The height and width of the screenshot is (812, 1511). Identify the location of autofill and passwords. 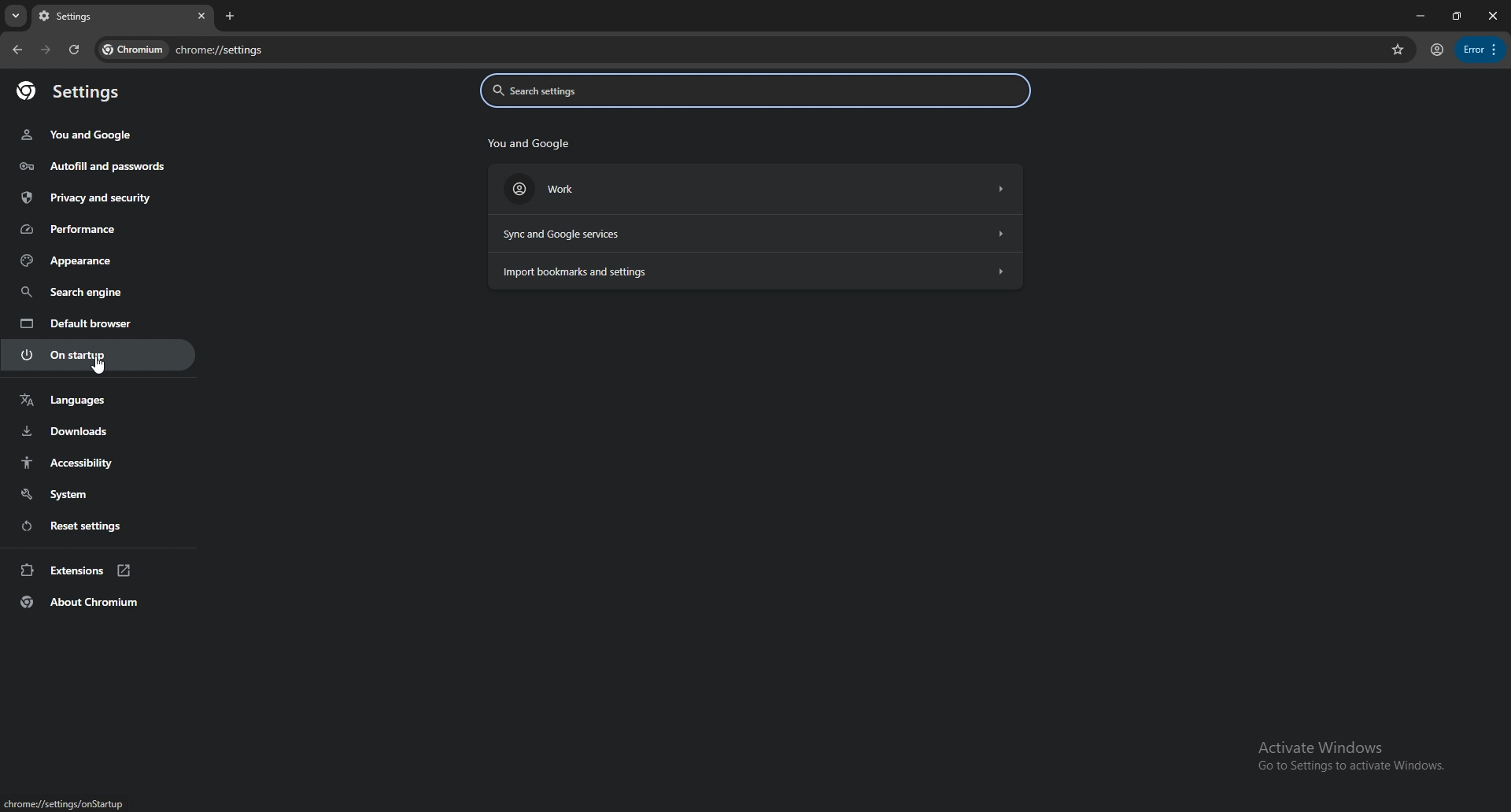
(93, 168).